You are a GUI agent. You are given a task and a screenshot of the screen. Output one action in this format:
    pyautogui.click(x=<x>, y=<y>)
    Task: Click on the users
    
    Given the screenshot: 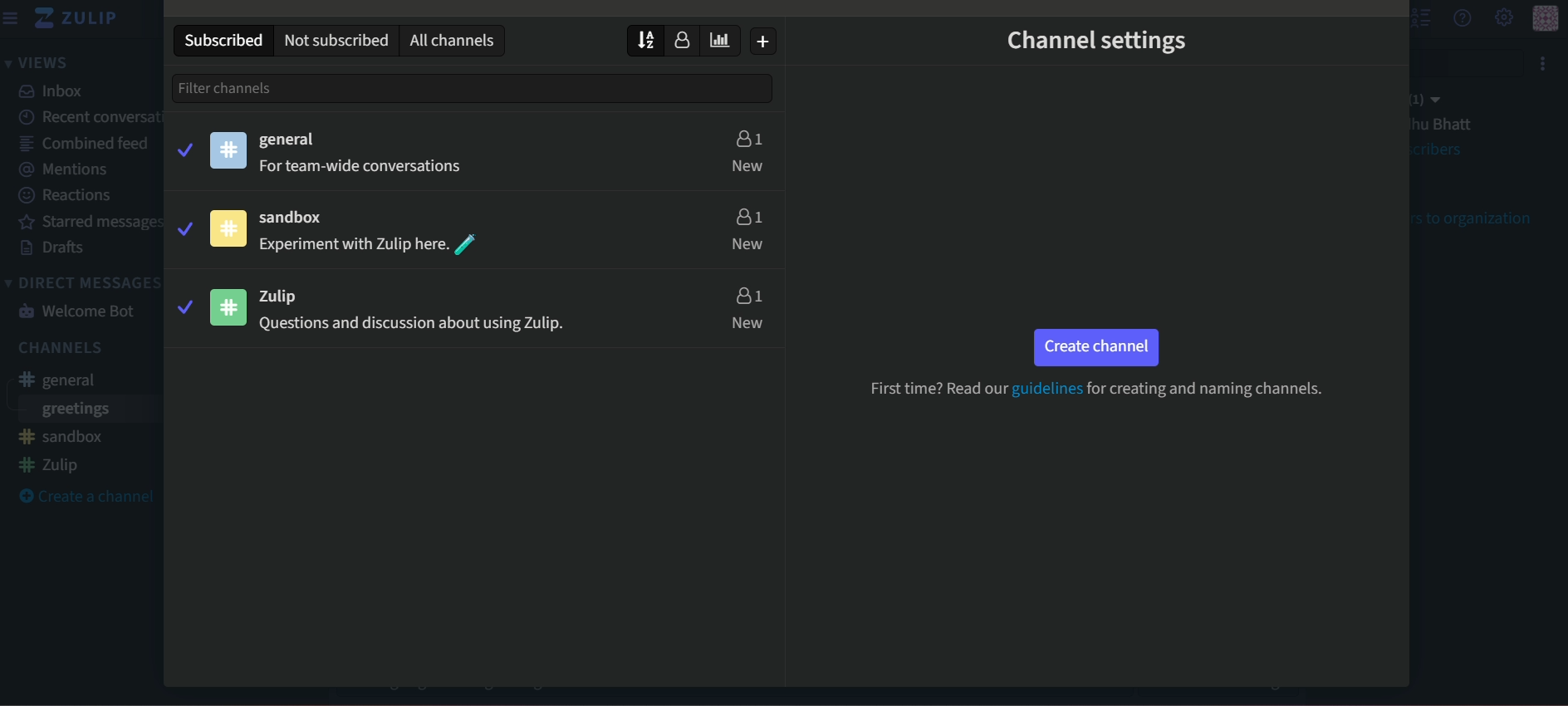 What is the action you would take?
    pyautogui.click(x=747, y=152)
    